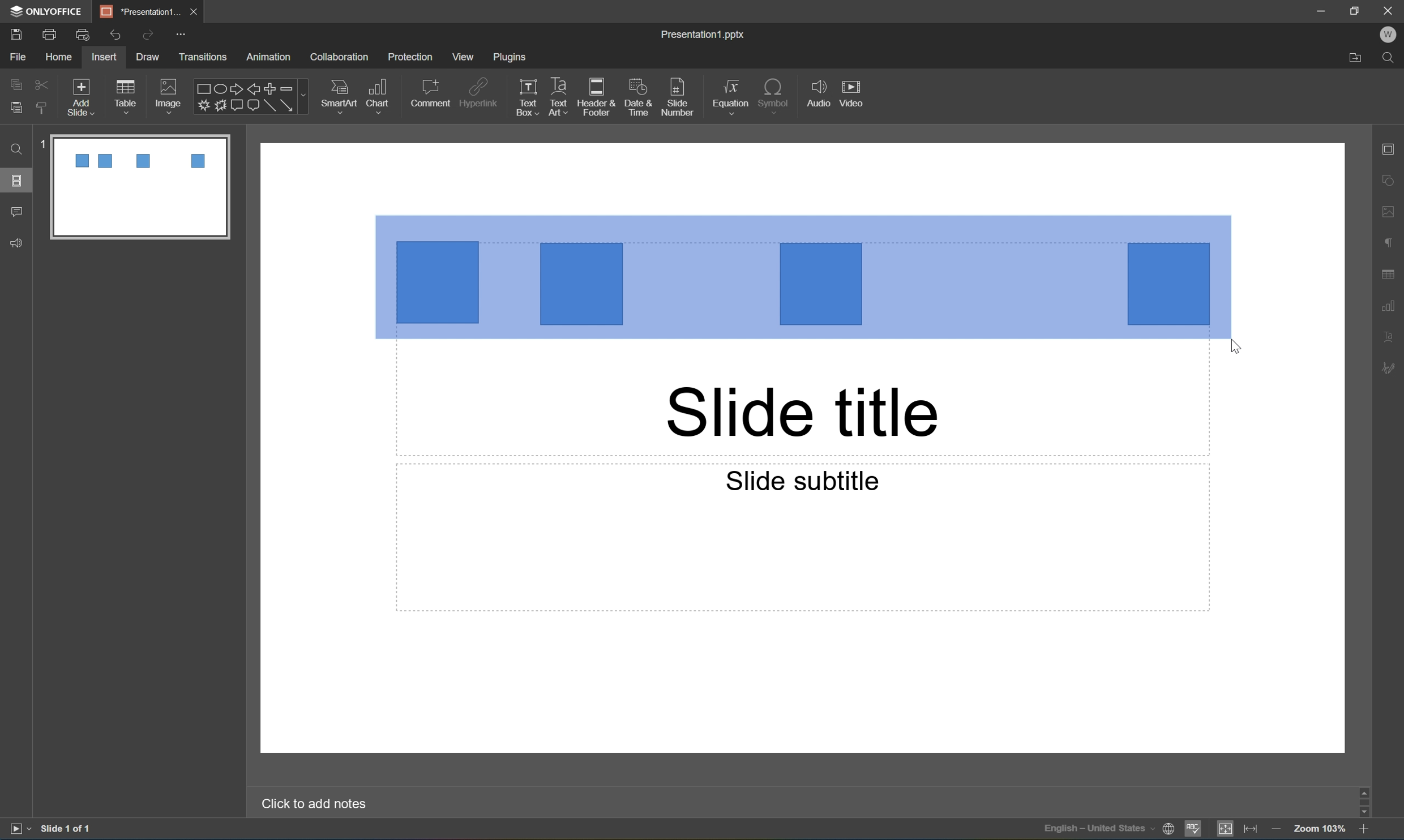 The image size is (1404, 840). I want to click on zoom out, so click(1277, 831).